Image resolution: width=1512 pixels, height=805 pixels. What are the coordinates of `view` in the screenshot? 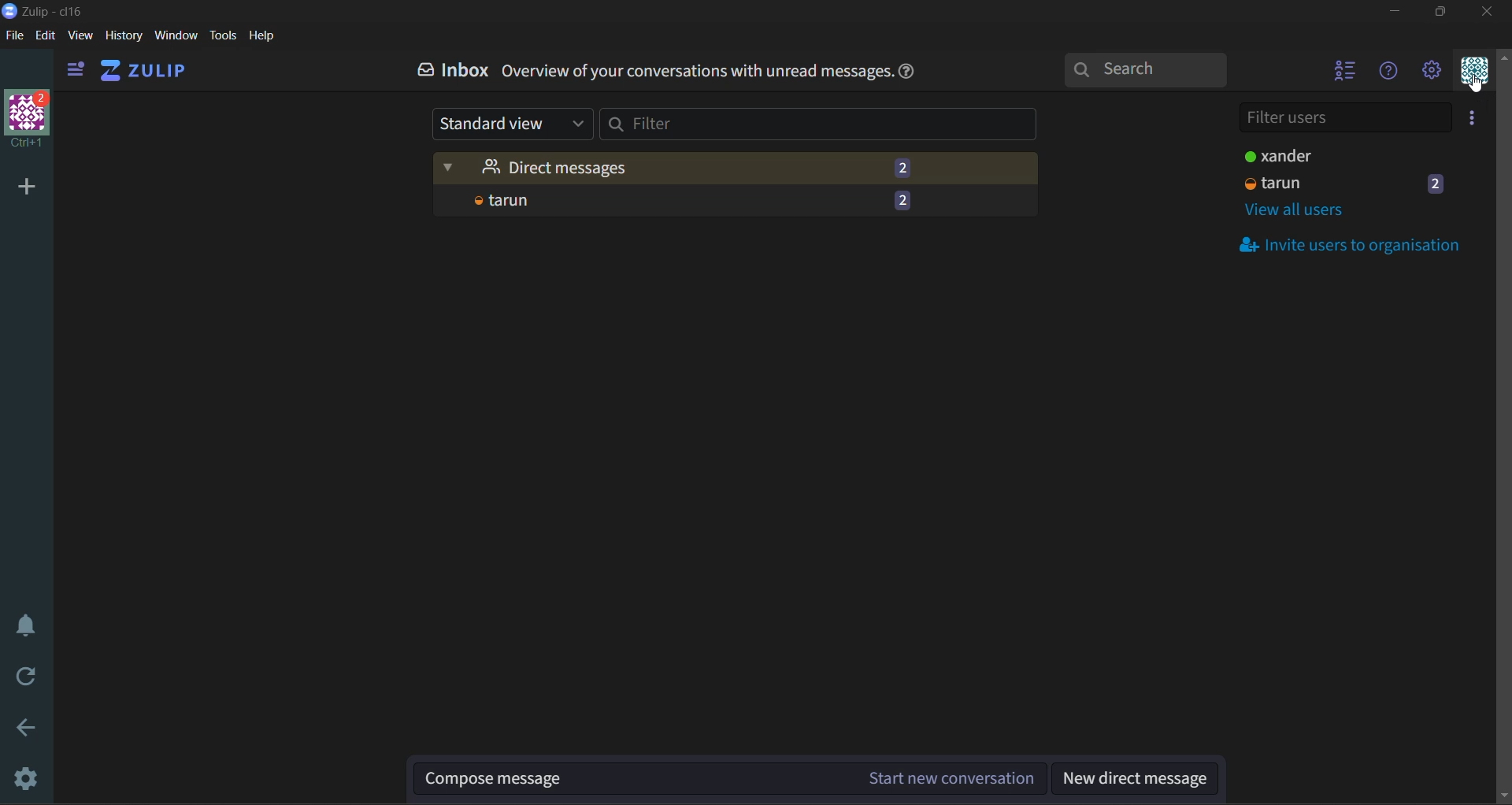 It's located at (79, 37).